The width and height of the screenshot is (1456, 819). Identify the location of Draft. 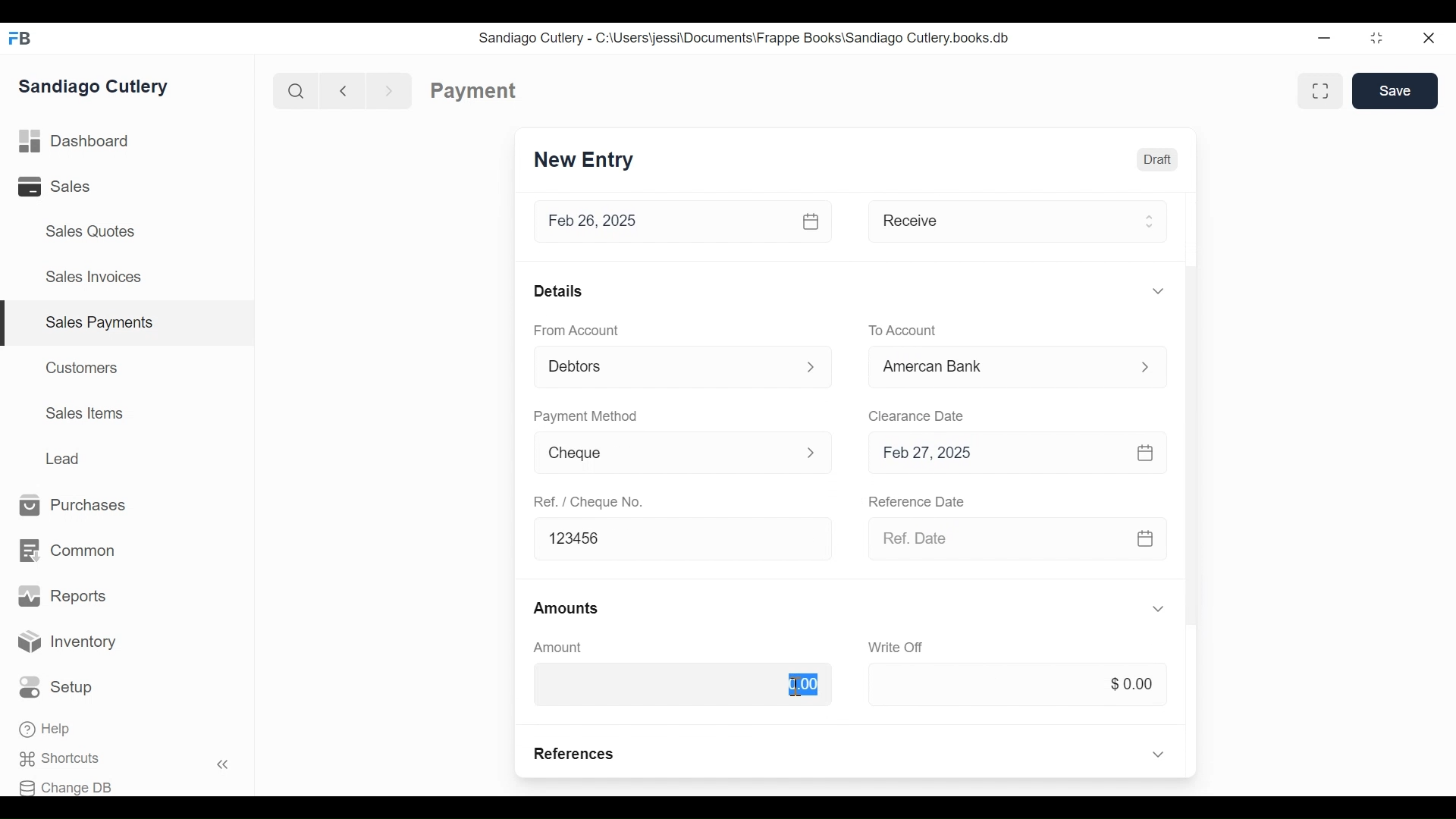
(1156, 158).